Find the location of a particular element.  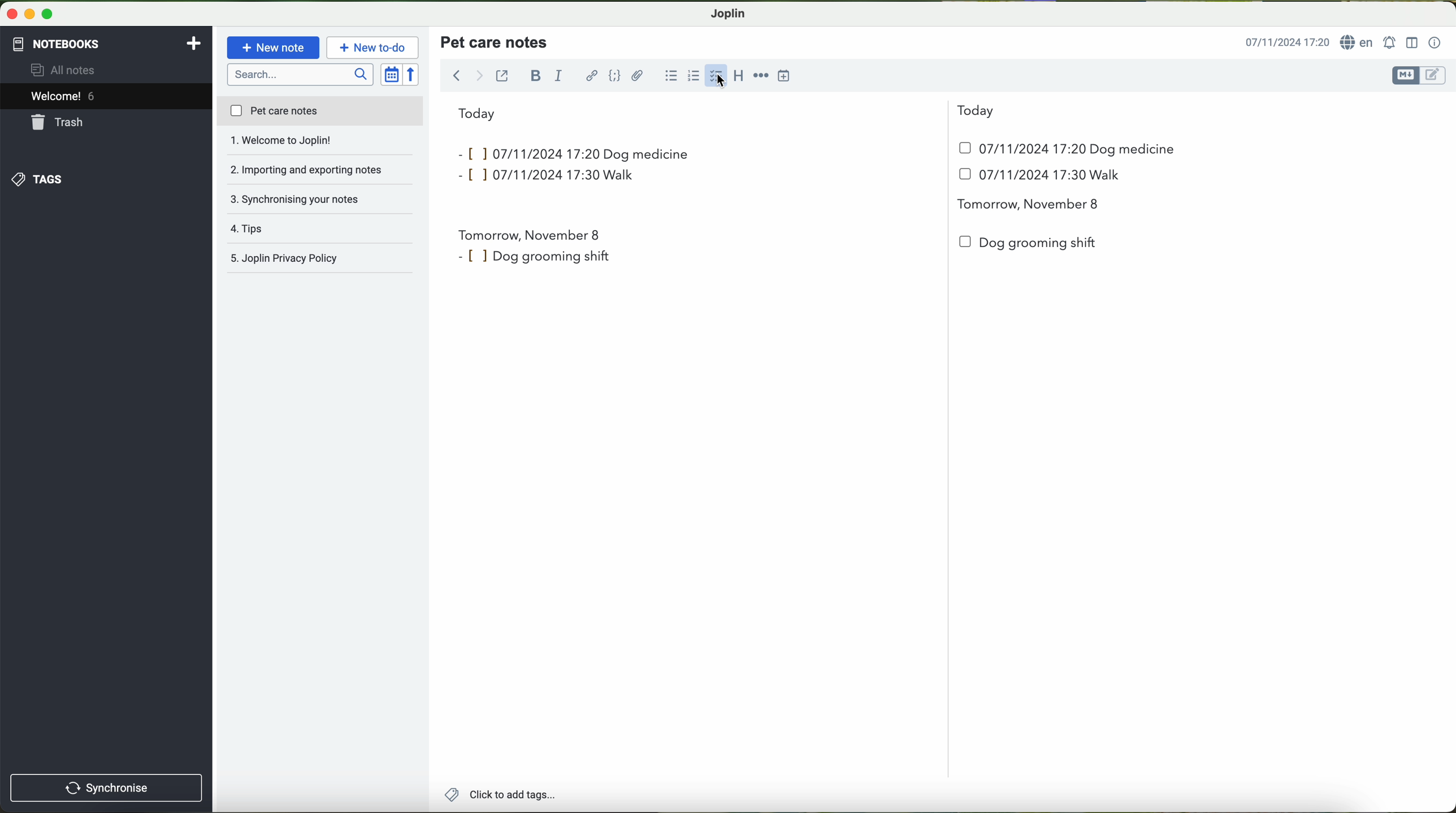

add is located at coordinates (194, 42).